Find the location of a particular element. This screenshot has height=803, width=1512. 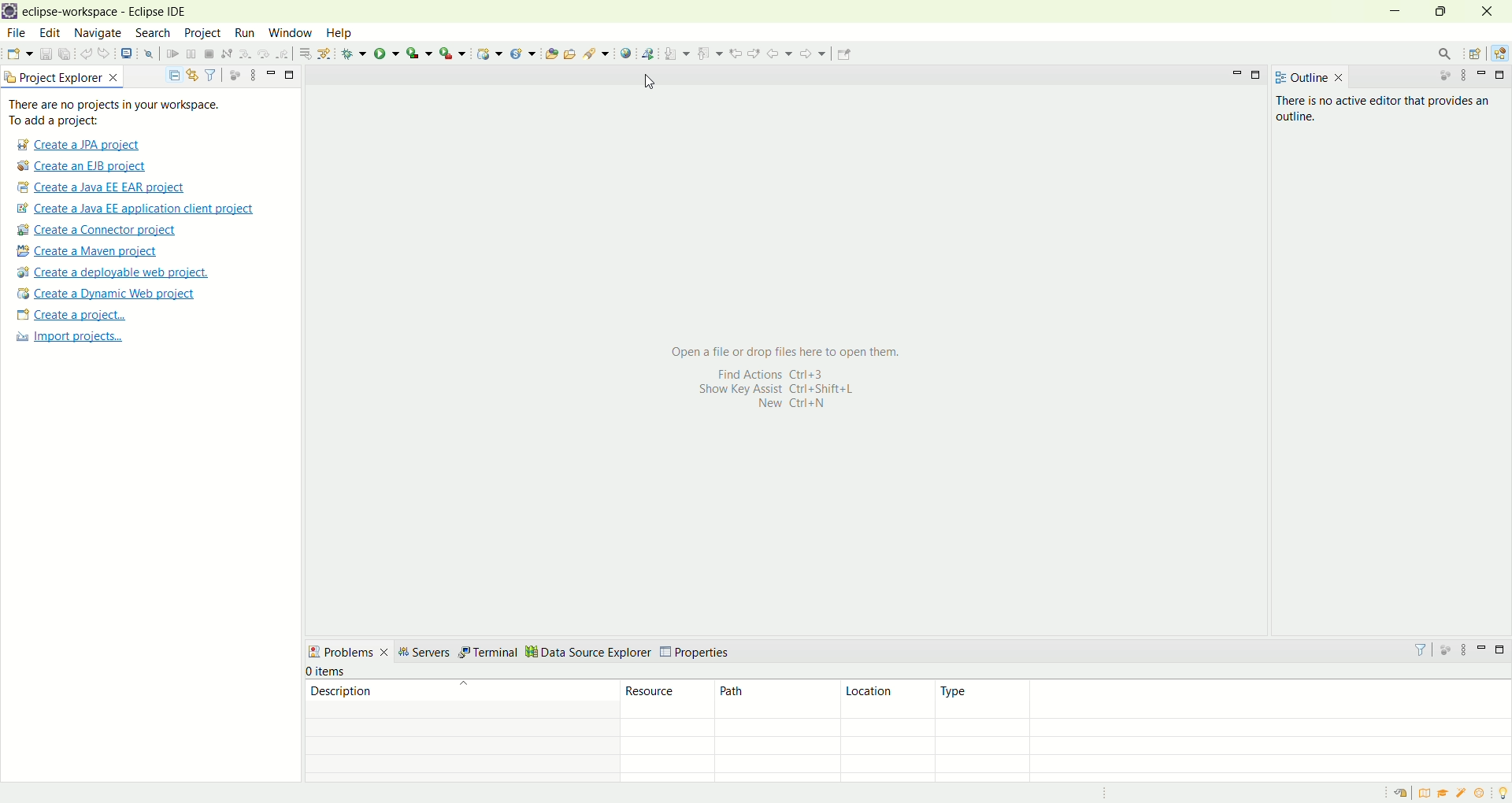

resource is located at coordinates (669, 698).